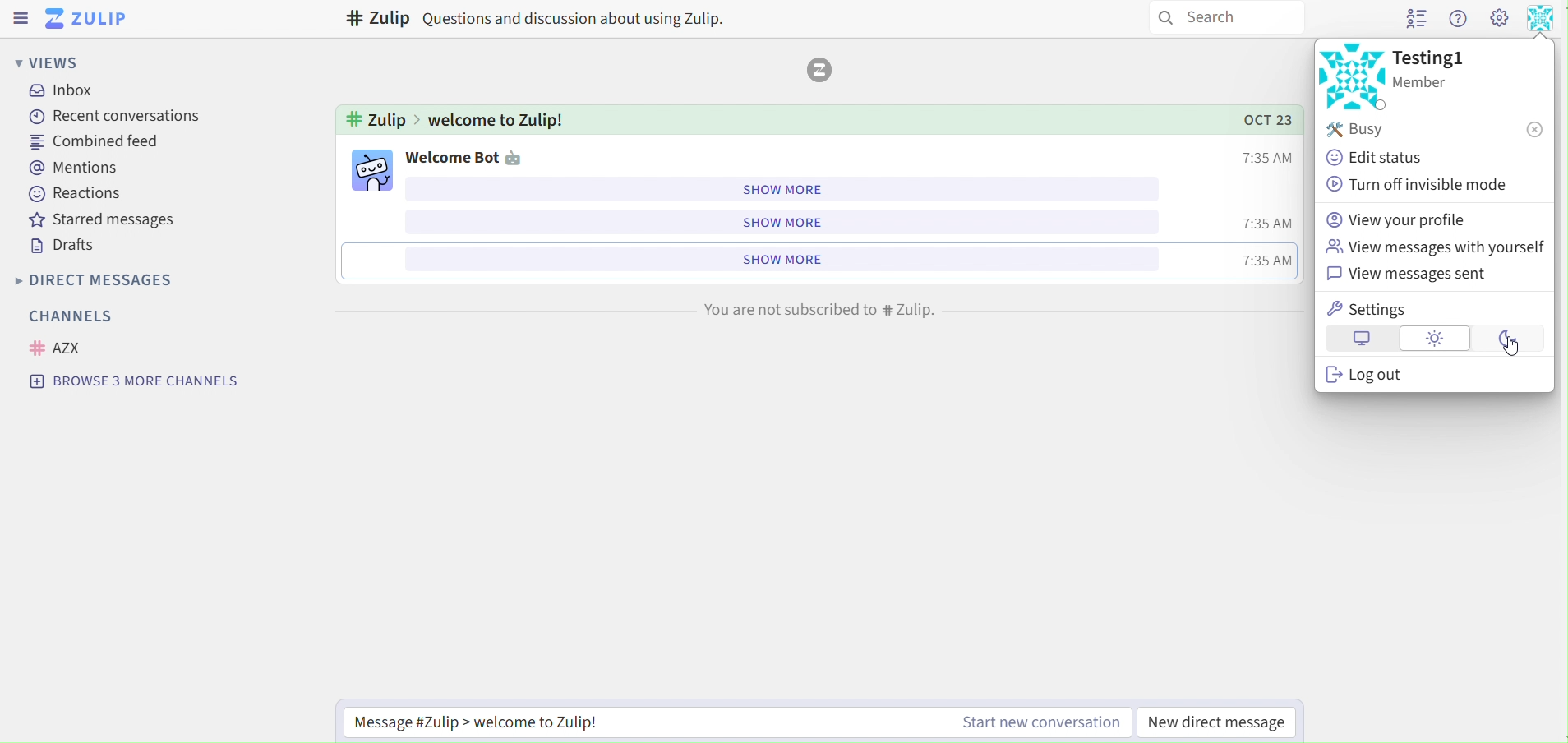  What do you see at coordinates (779, 258) in the screenshot?
I see `show more` at bounding box center [779, 258].